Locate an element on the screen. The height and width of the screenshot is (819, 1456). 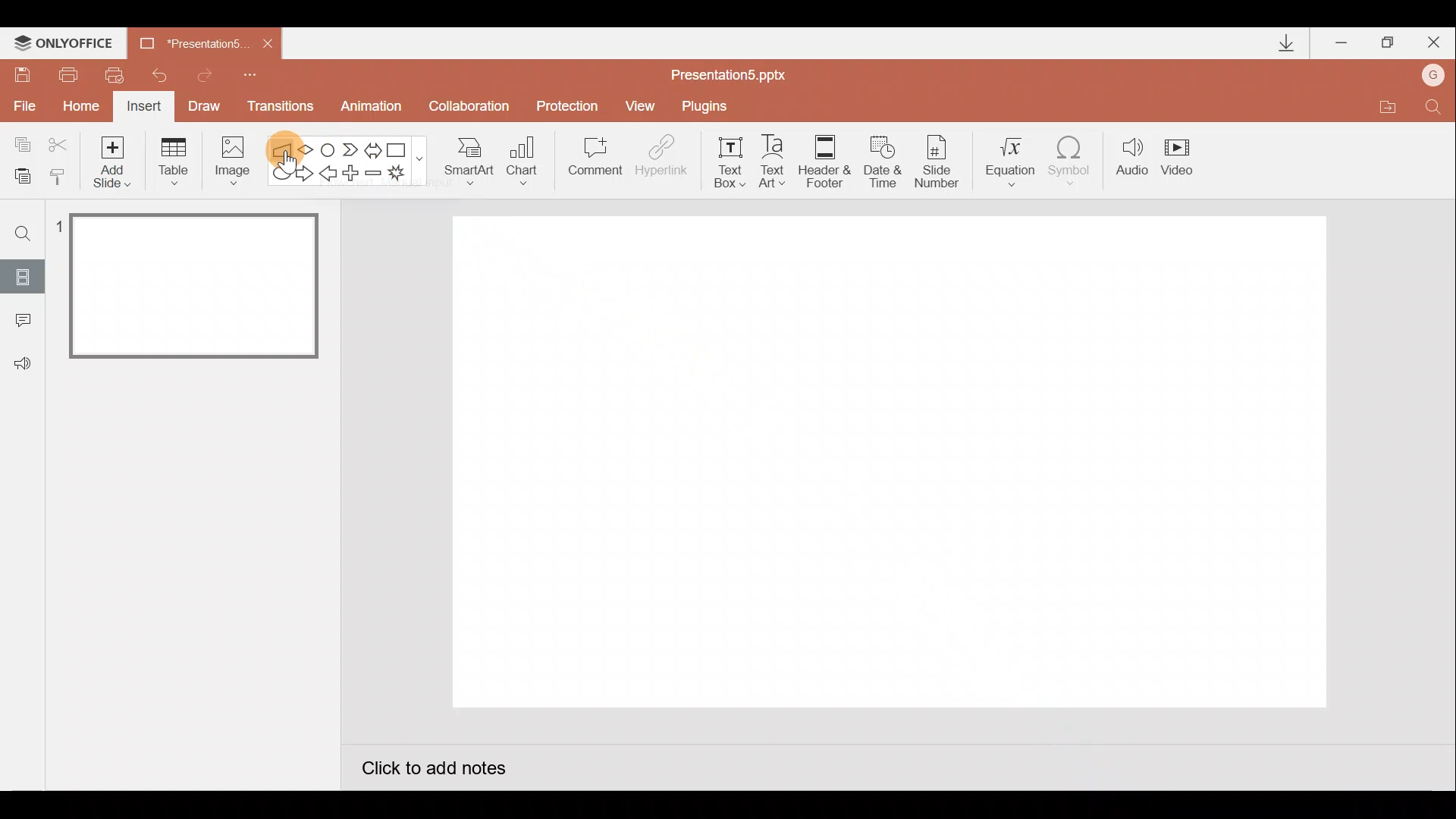
Find is located at coordinates (24, 233).